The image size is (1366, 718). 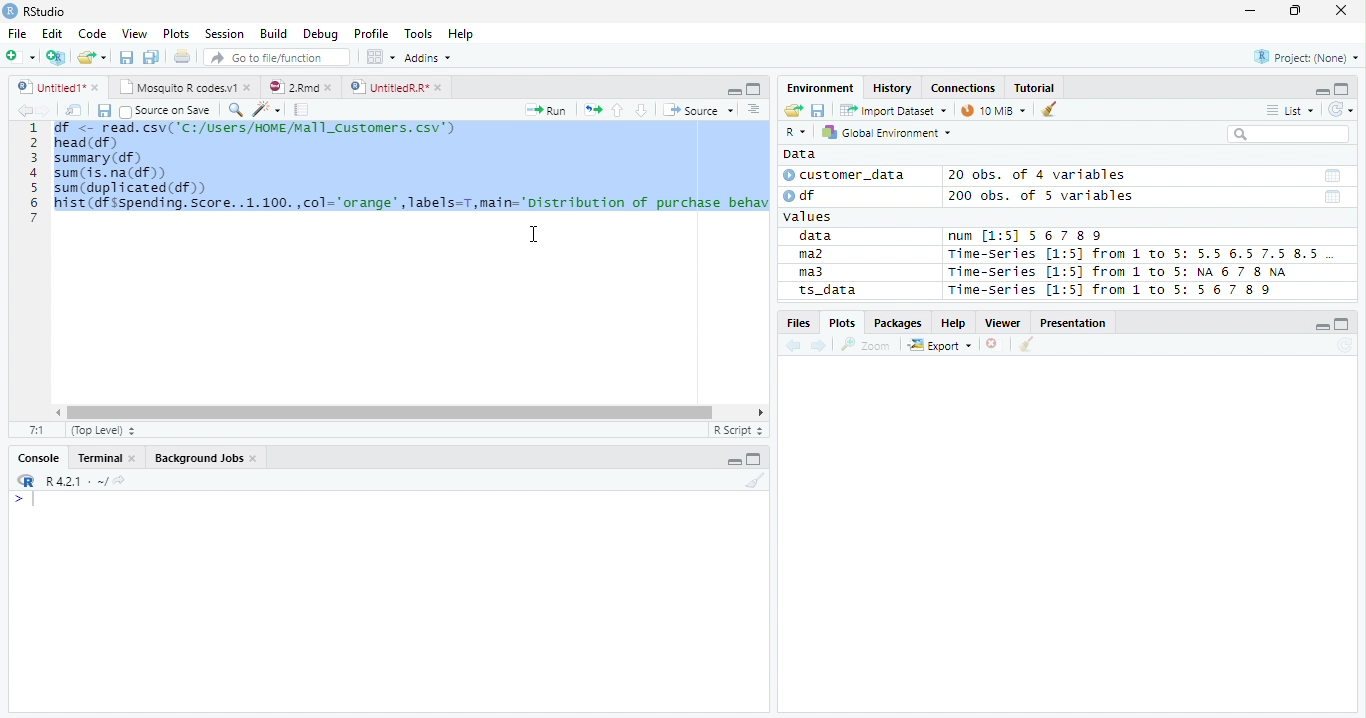 What do you see at coordinates (101, 431) in the screenshot?
I see `Top Level` at bounding box center [101, 431].